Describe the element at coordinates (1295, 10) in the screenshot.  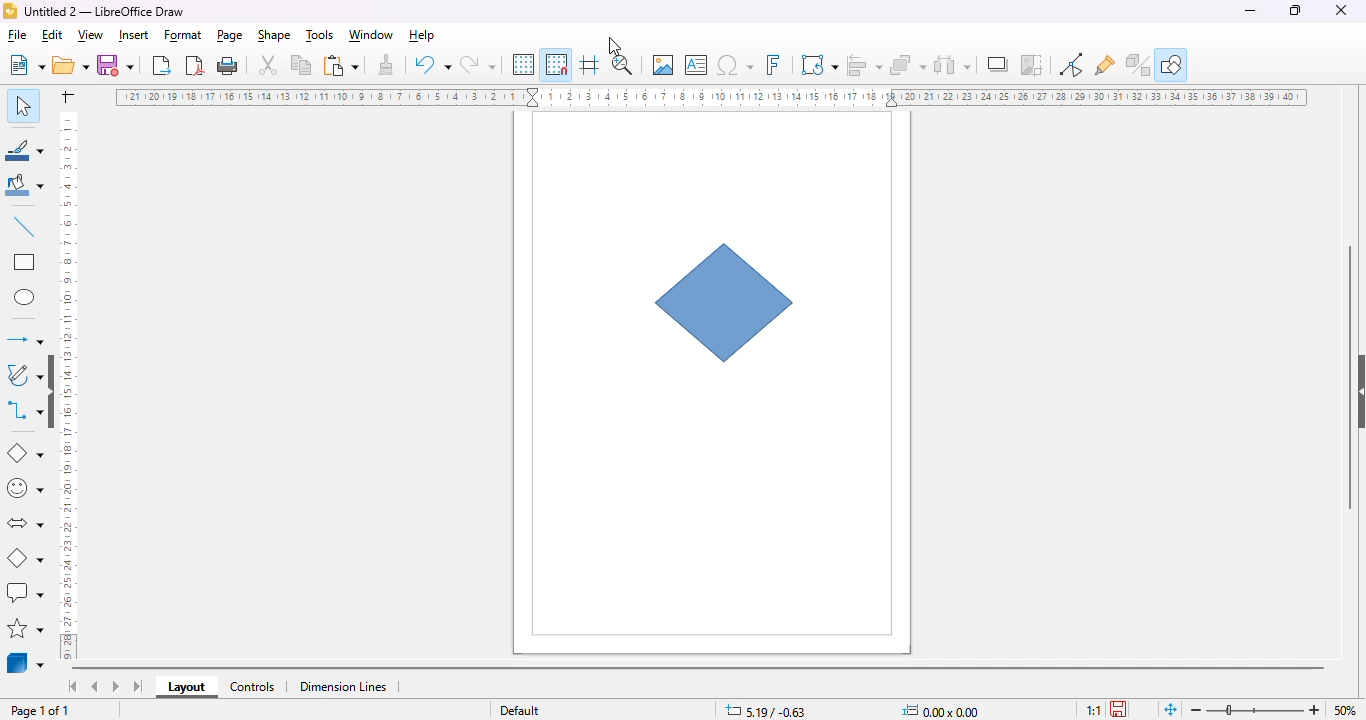
I see `maximize` at that location.